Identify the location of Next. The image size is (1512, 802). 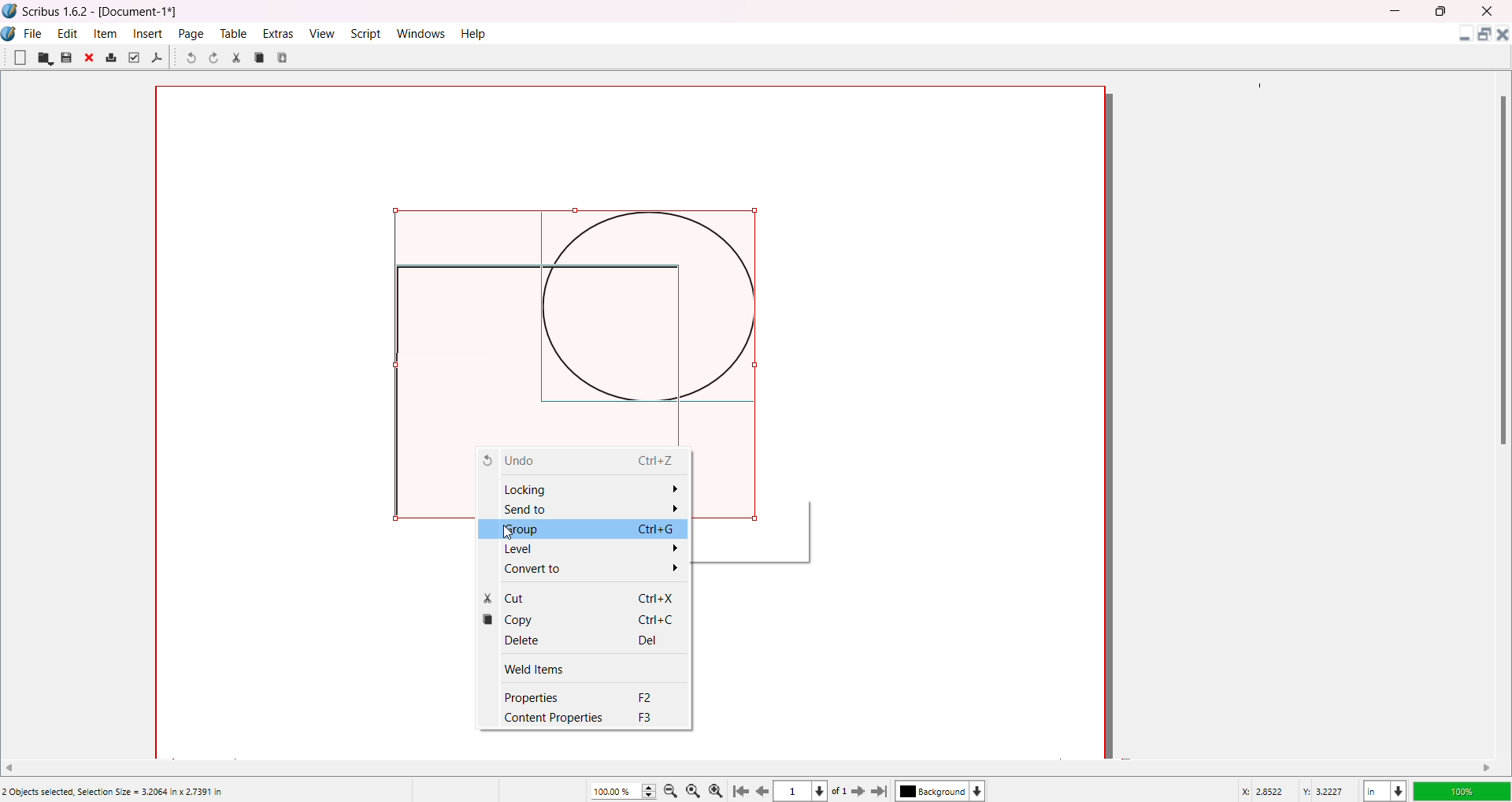
(854, 790).